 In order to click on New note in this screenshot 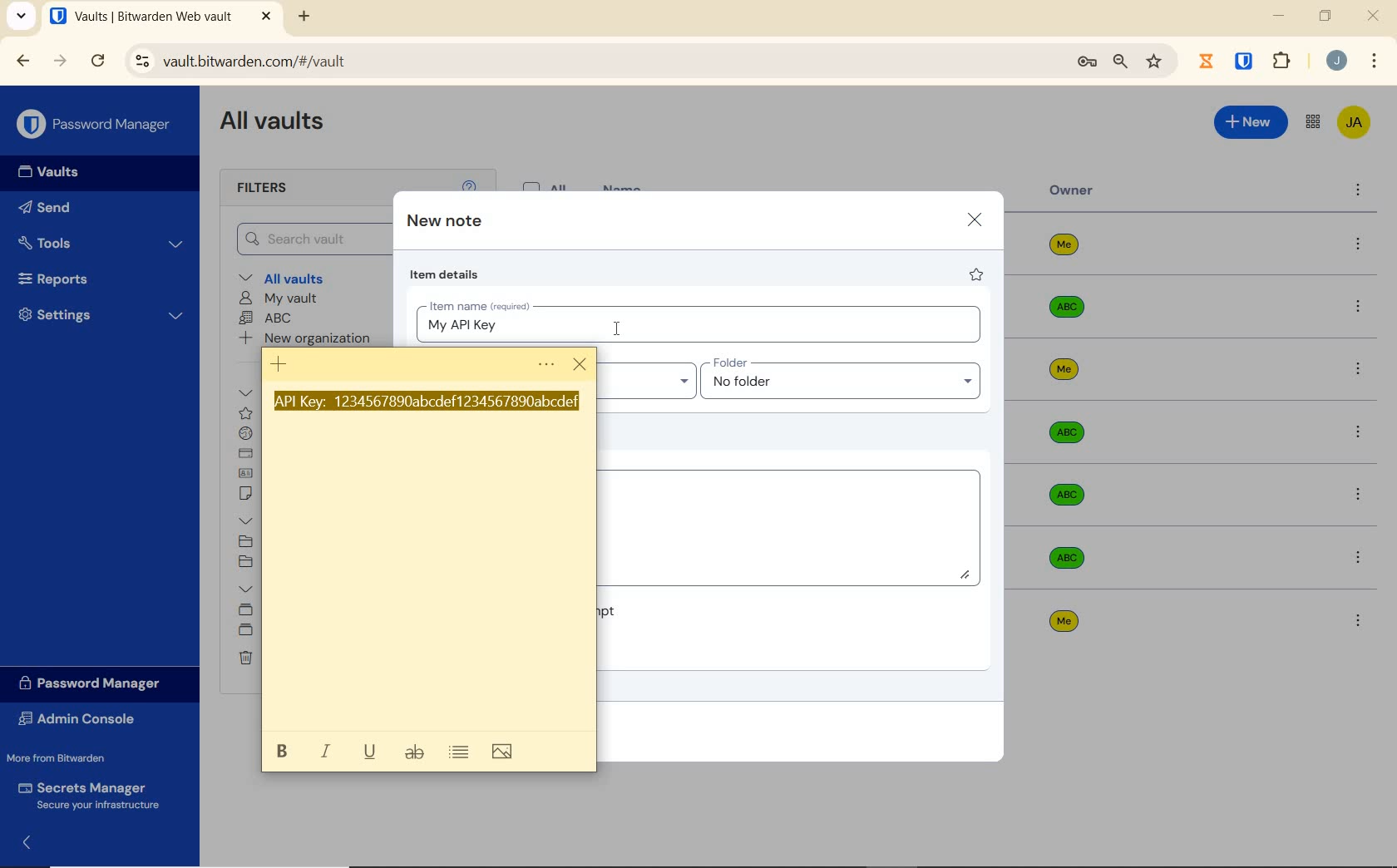, I will do `click(277, 362)`.